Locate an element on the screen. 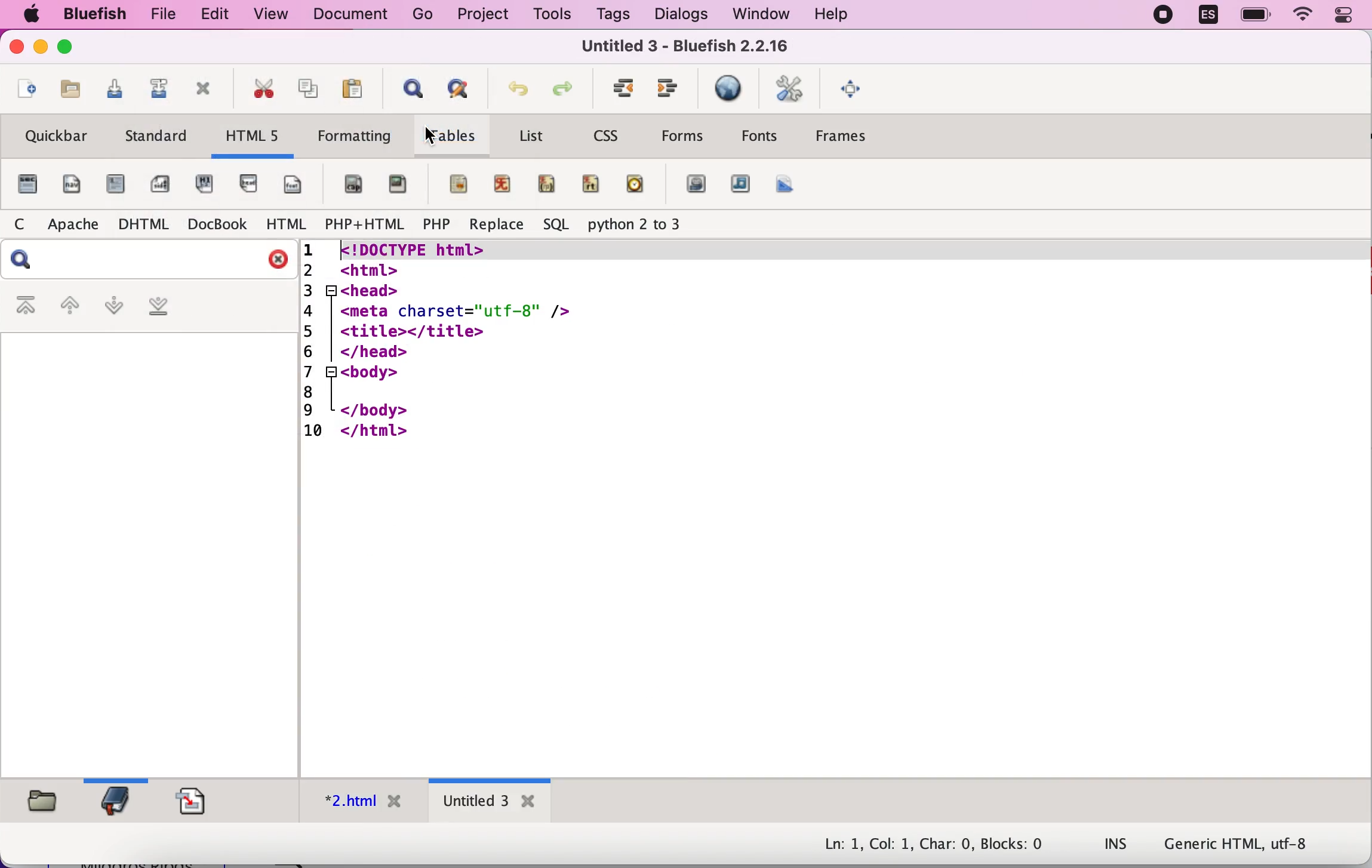 Image resolution: width=1372 pixels, height=868 pixels. php is located at coordinates (437, 224).